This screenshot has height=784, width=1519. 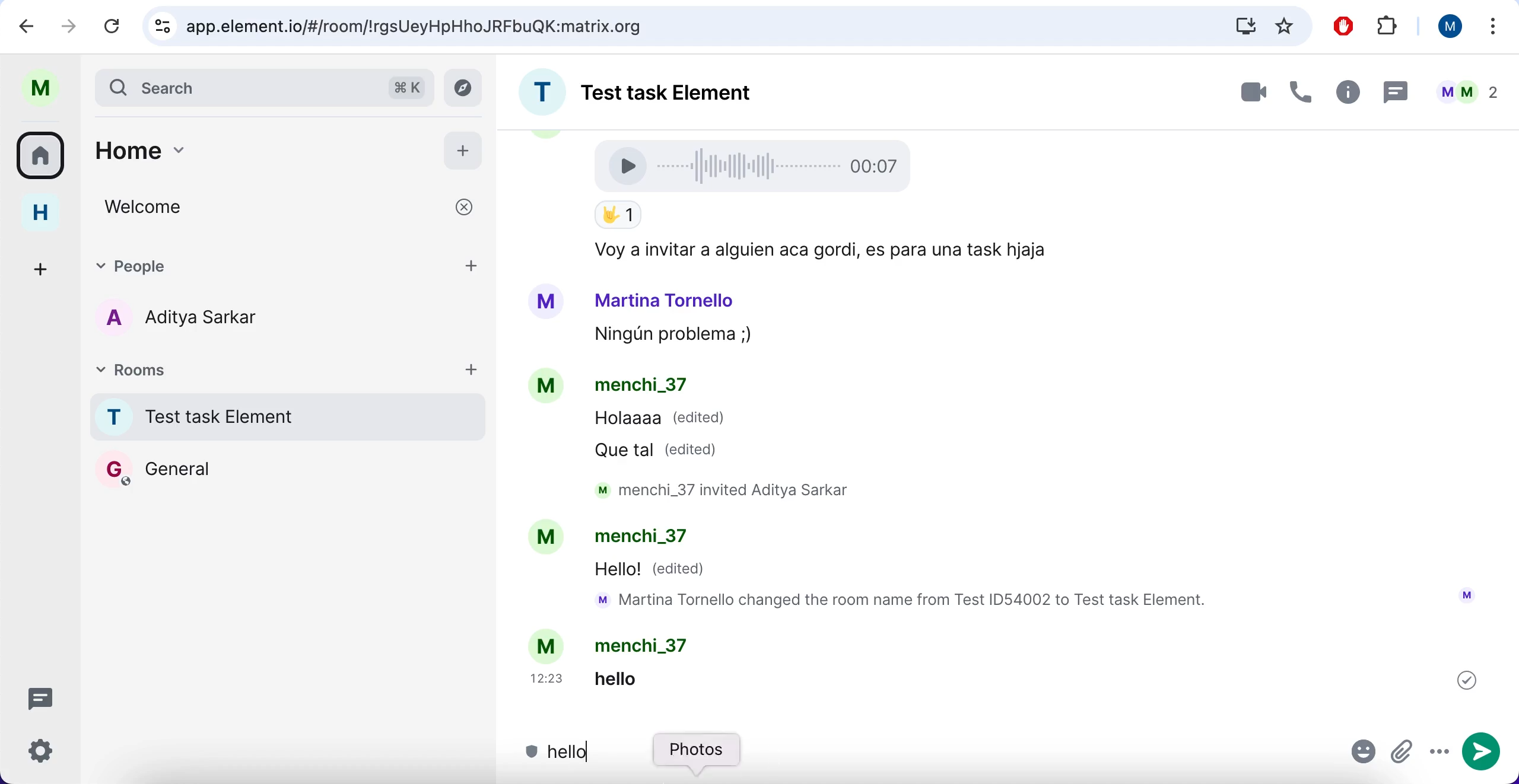 What do you see at coordinates (659, 88) in the screenshot?
I see `room name` at bounding box center [659, 88].